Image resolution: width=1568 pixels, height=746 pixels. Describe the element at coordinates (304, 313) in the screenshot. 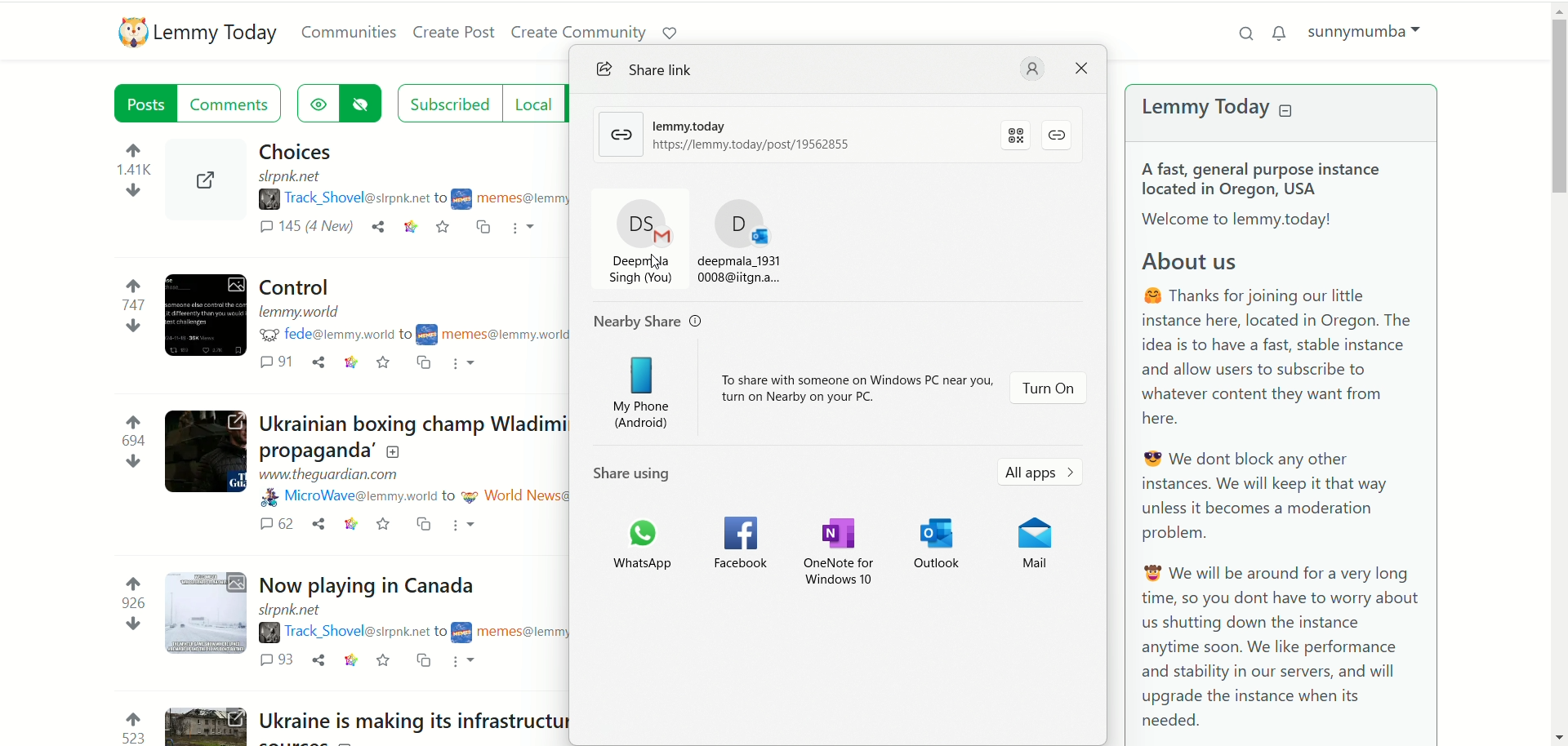

I see `URL` at that location.